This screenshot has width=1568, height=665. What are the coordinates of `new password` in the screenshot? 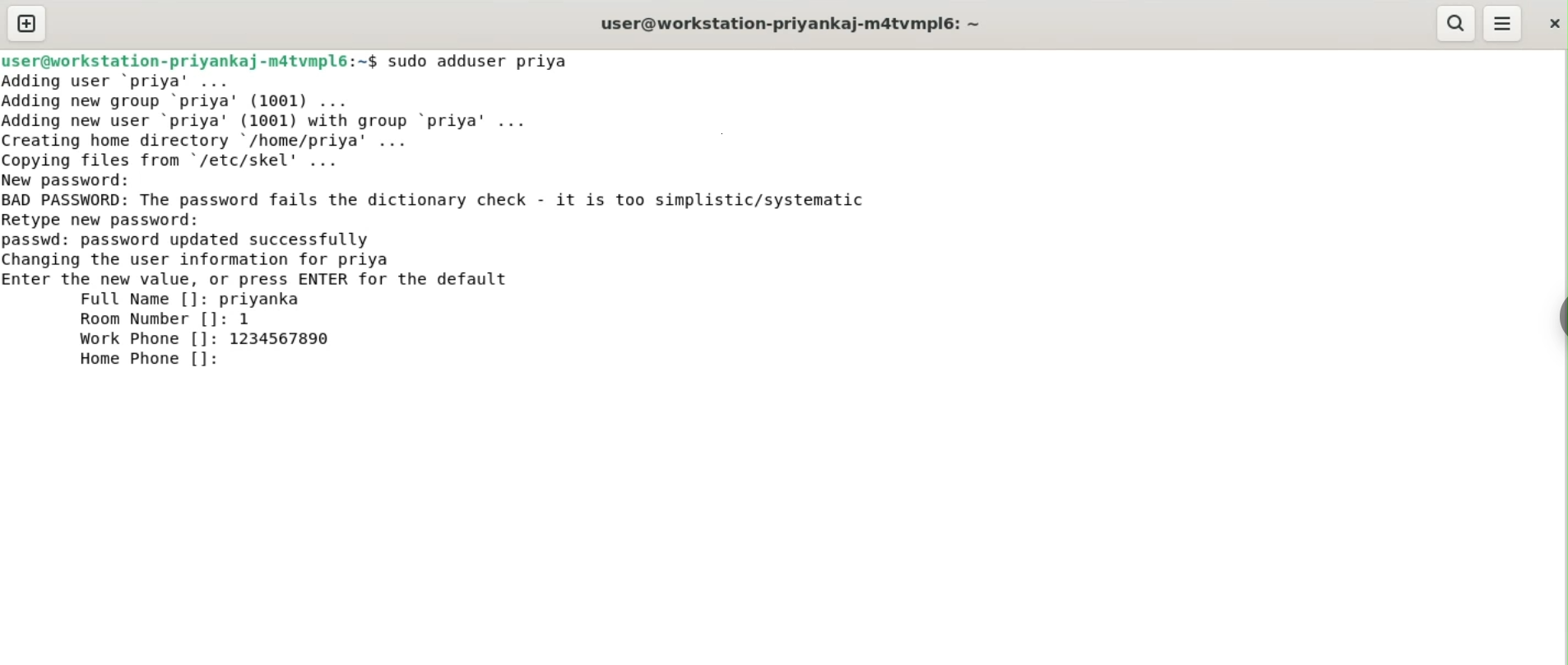 It's located at (79, 179).